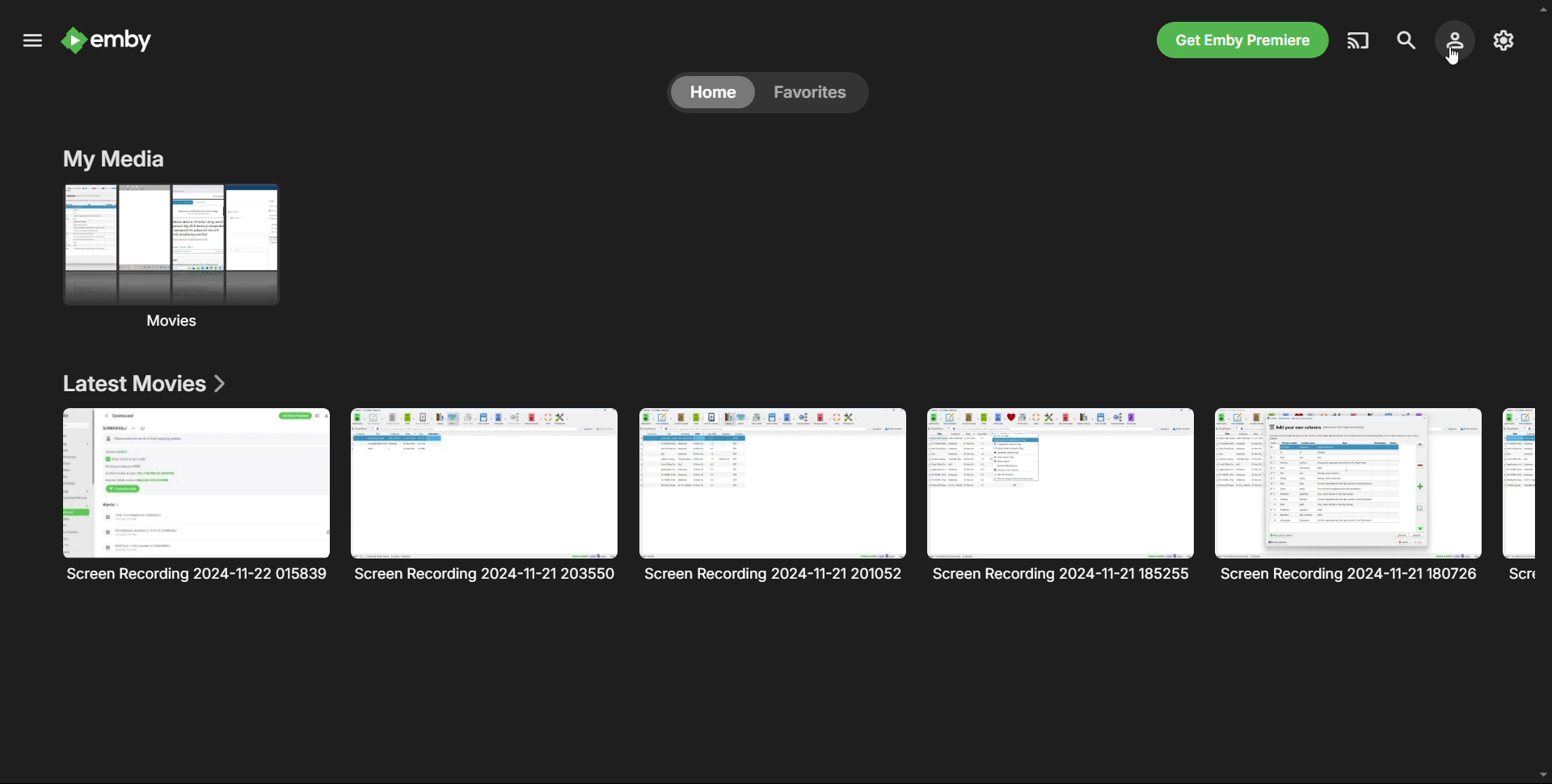 The height and width of the screenshot is (784, 1552). Describe the element at coordinates (1453, 57) in the screenshot. I see `cursor` at that location.